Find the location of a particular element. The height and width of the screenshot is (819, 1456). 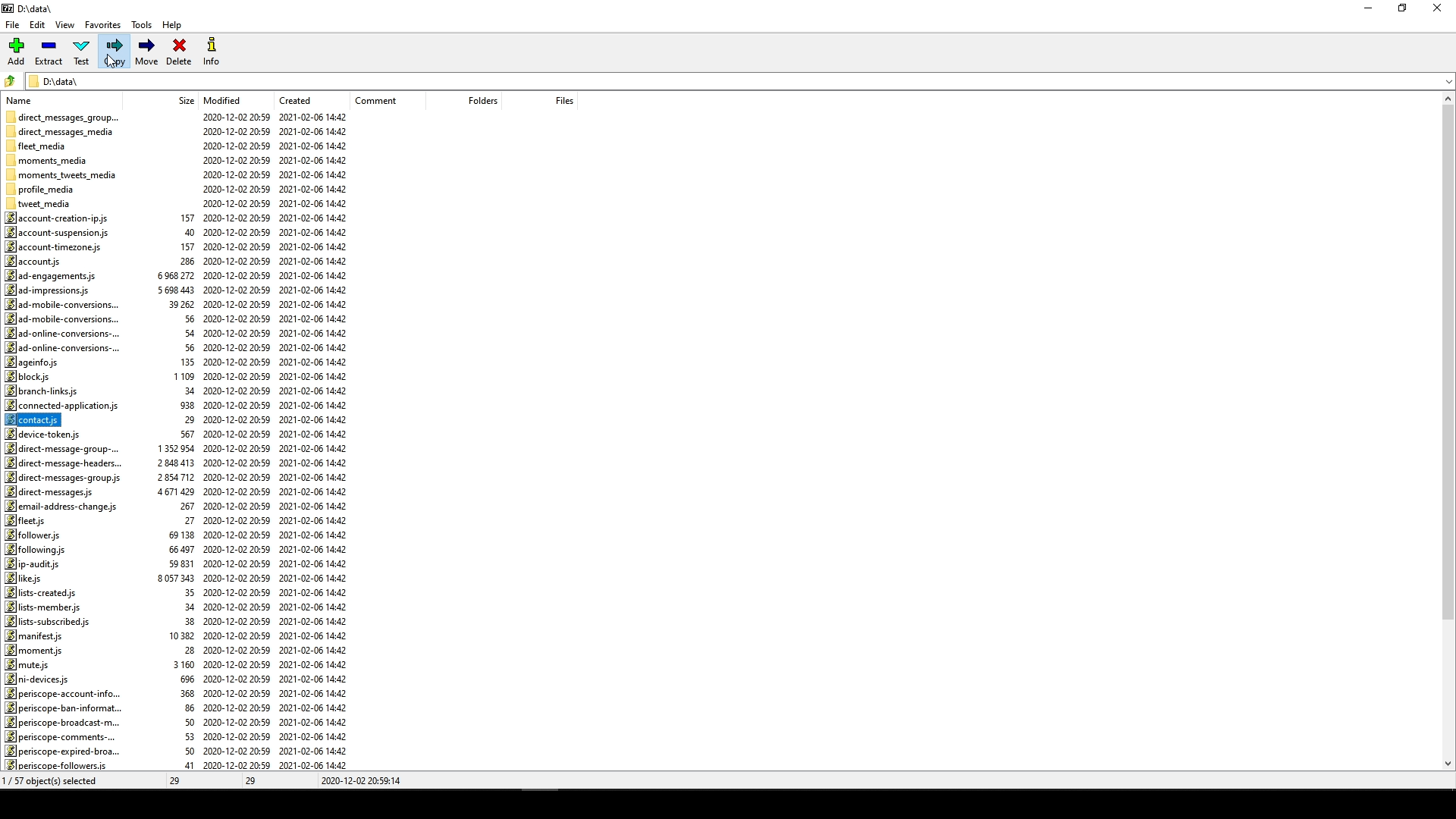

comment is located at coordinates (381, 100).